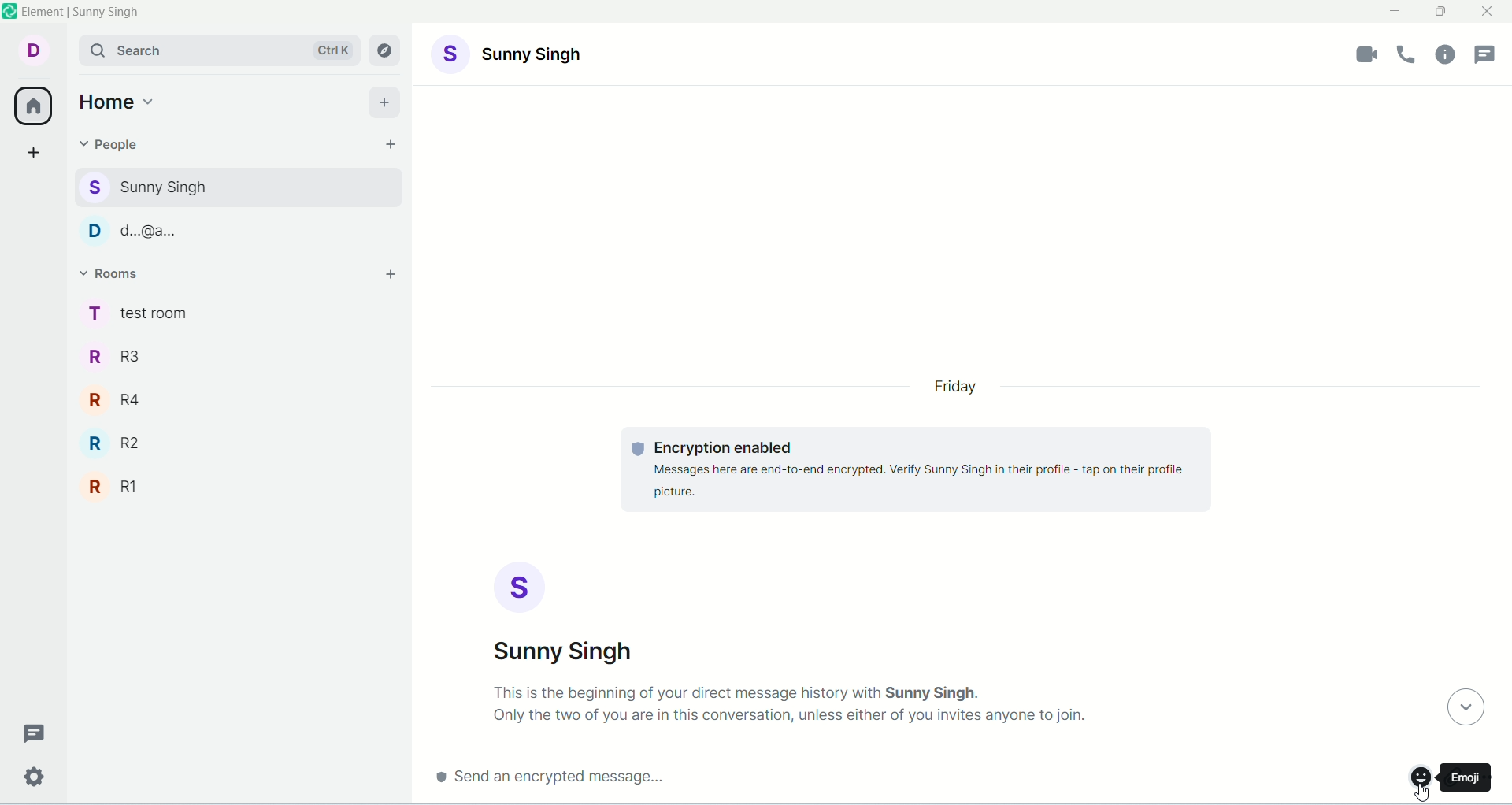 The height and width of the screenshot is (805, 1512). Describe the element at coordinates (1488, 54) in the screenshot. I see `threads` at that location.